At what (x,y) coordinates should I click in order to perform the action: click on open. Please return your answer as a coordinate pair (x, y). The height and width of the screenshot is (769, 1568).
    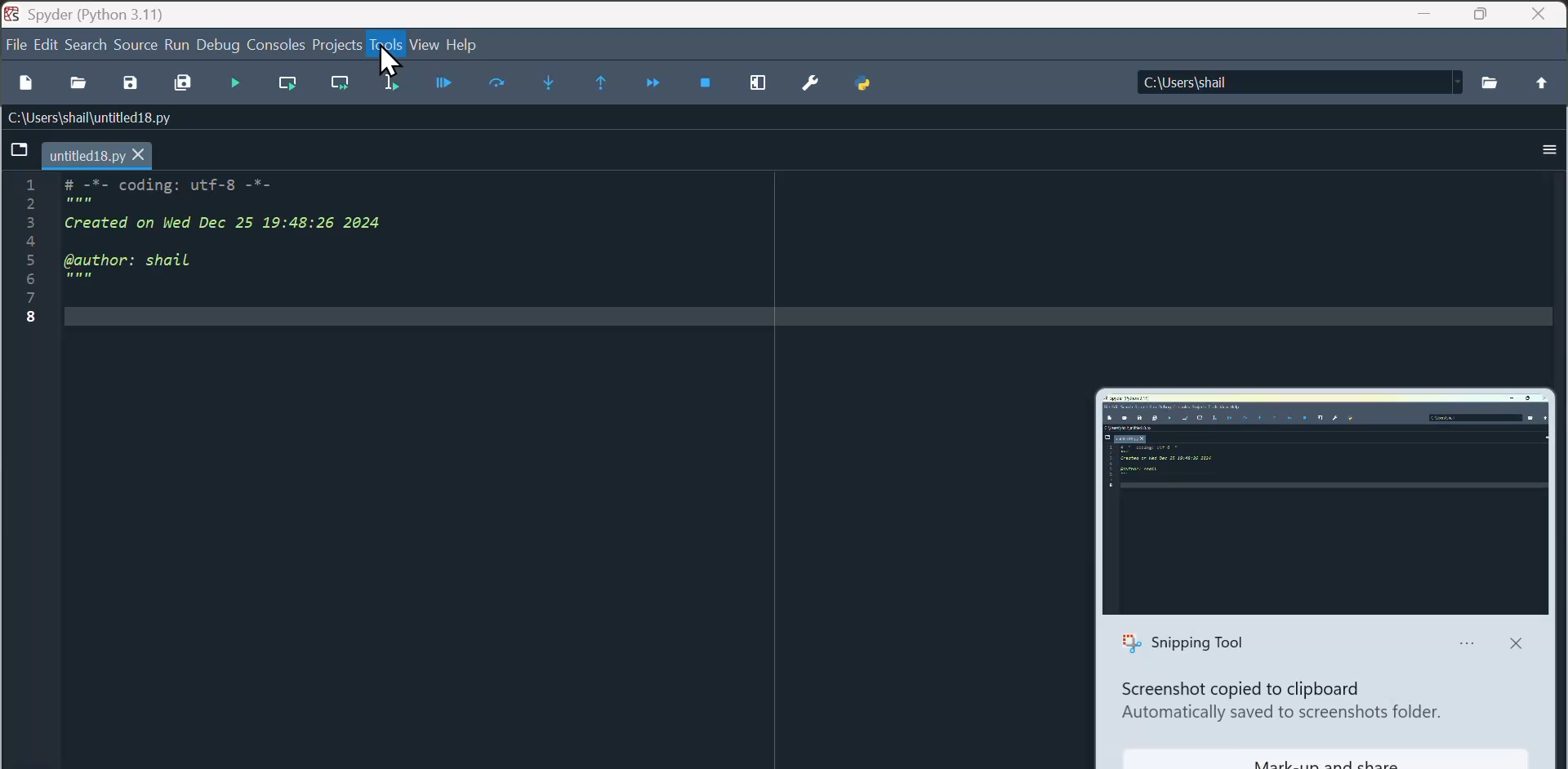
    Looking at the image, I should click on (76, 82).